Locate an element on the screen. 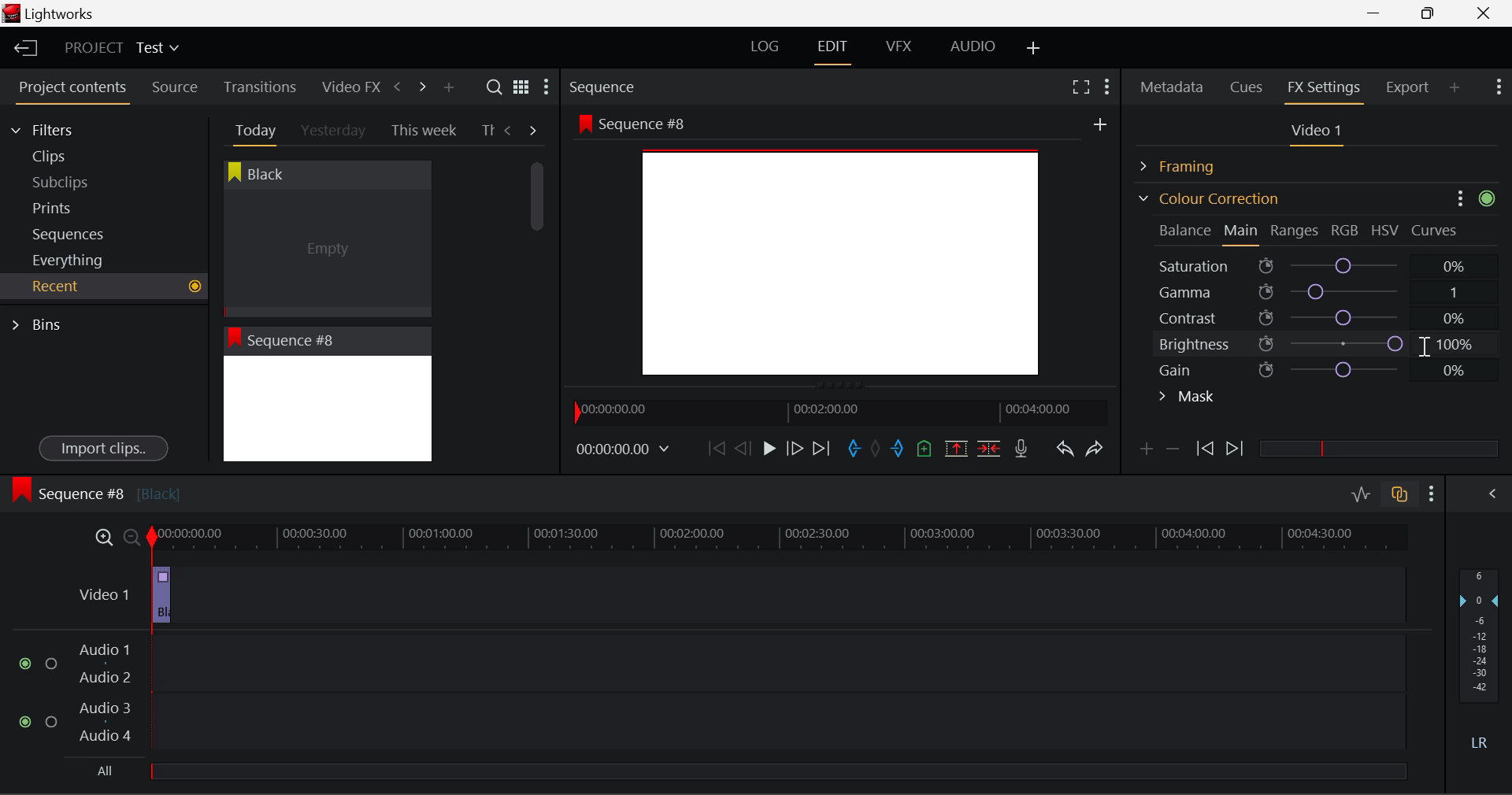 This screenshot has height=795, width=1512. Saturation is located at coordinates (1314, 263).